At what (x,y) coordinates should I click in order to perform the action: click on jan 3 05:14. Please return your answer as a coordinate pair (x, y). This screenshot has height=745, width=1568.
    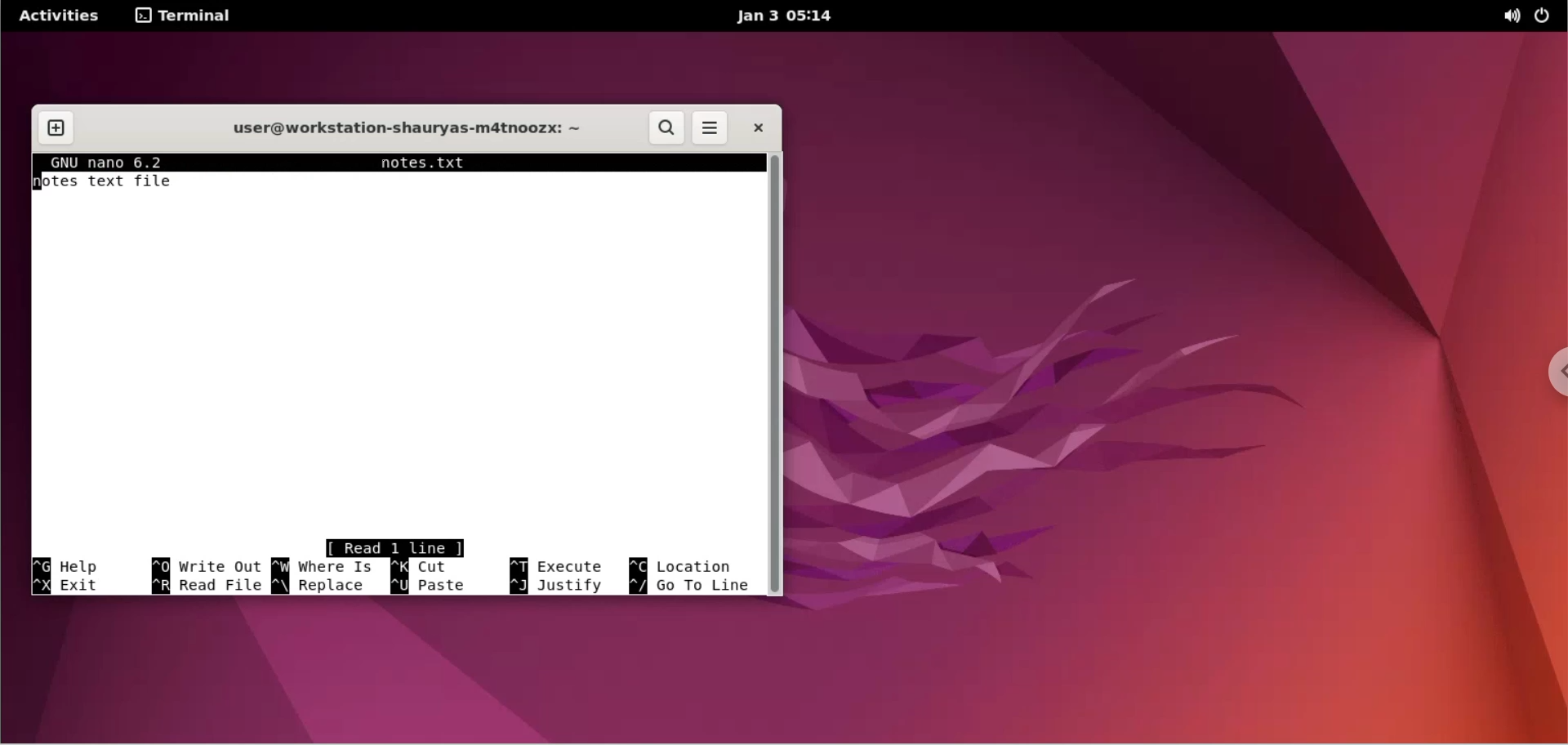
    Looking at the image, I should click on (785, 17).